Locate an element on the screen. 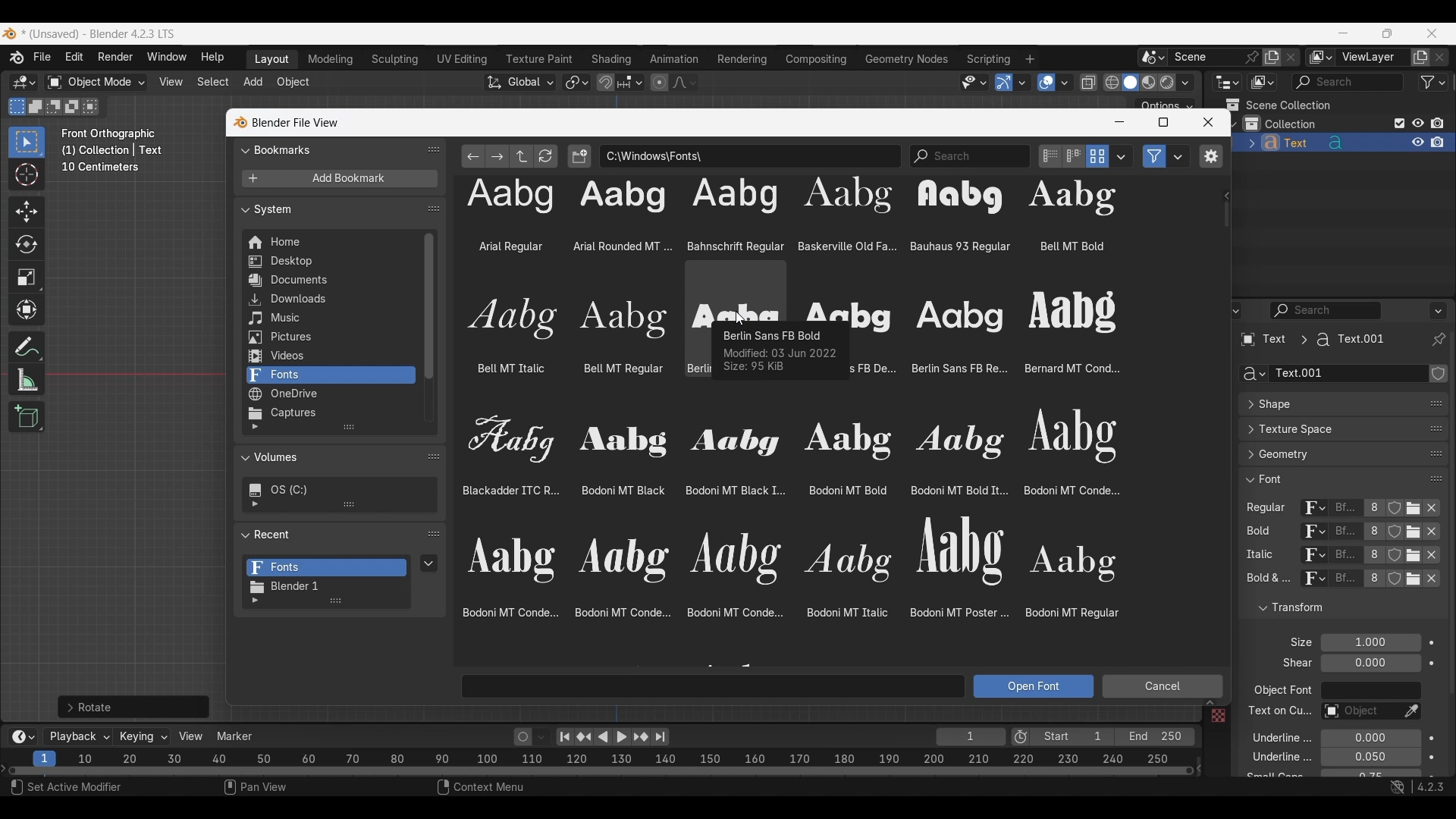 The image size is (1456, 819).  is located at coordinates (1215, 717).